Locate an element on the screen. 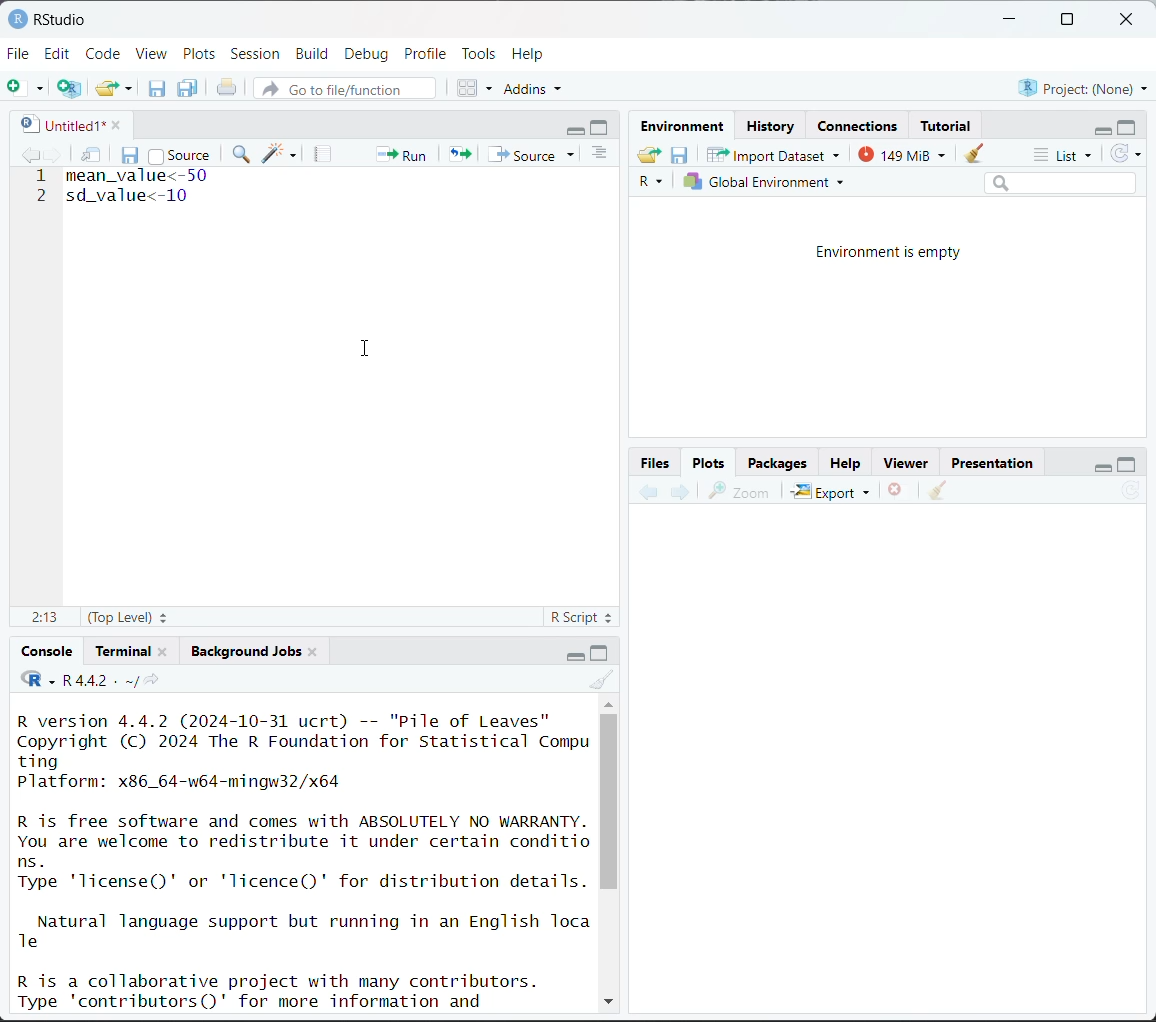  print the current file is located at coordinates (228, 88).